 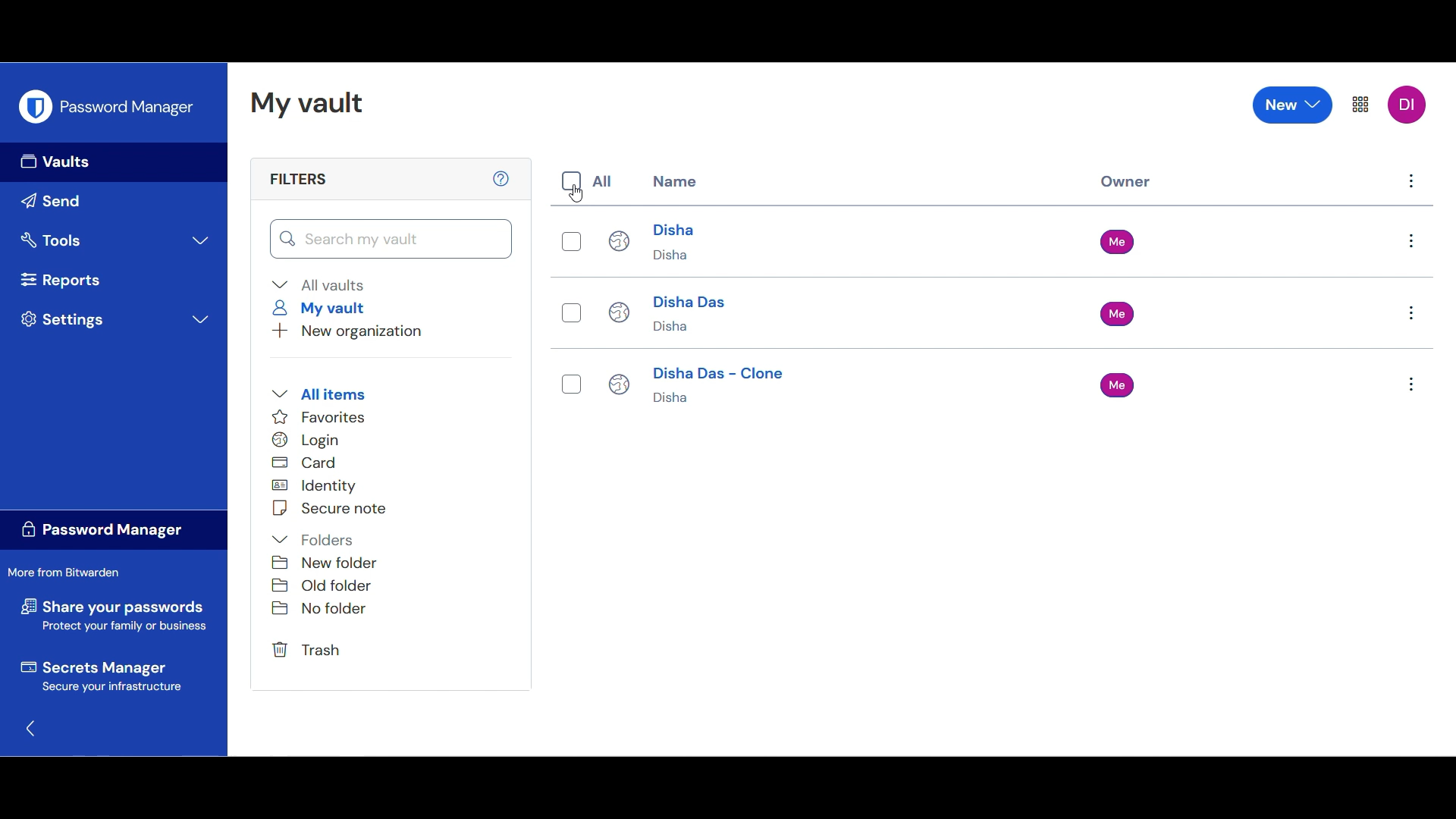 What do you see at coordinates (114, 202) in the screenshot?
I see `Send` at bounding box center [114, 202].